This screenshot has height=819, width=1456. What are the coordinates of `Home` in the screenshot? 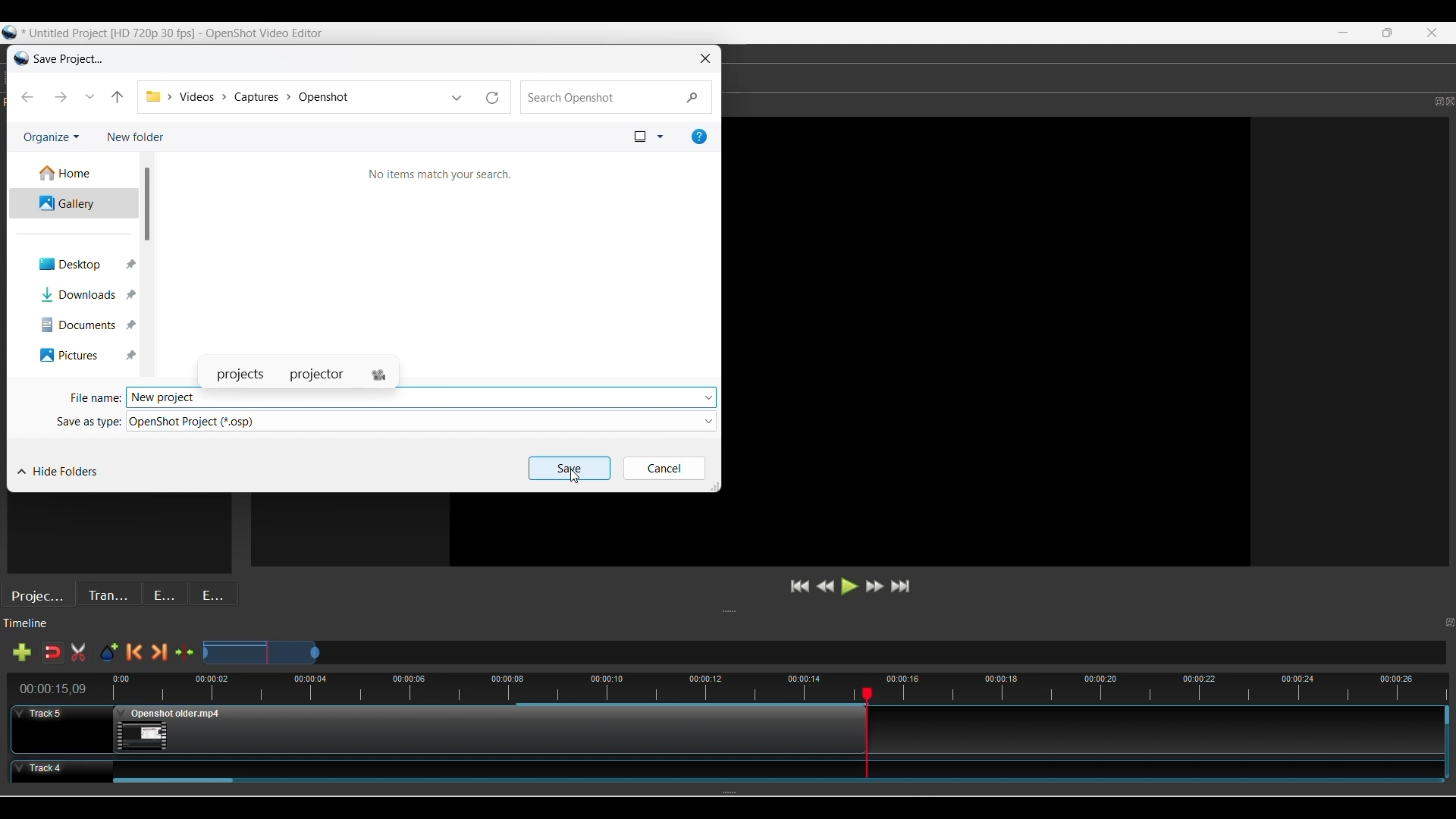 It's located at (72, 174).